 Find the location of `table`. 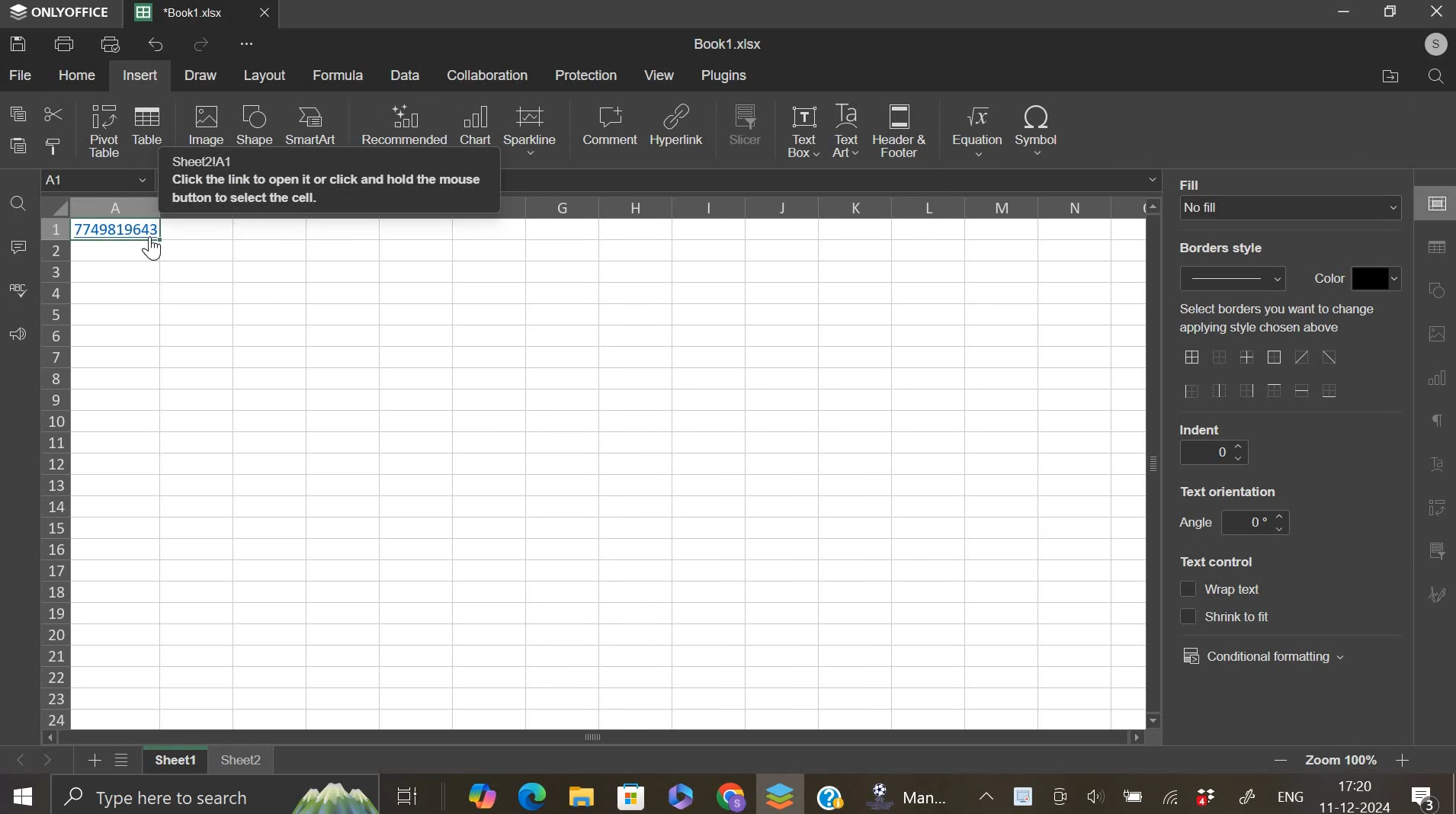

table is located at coordinates (146, 124).